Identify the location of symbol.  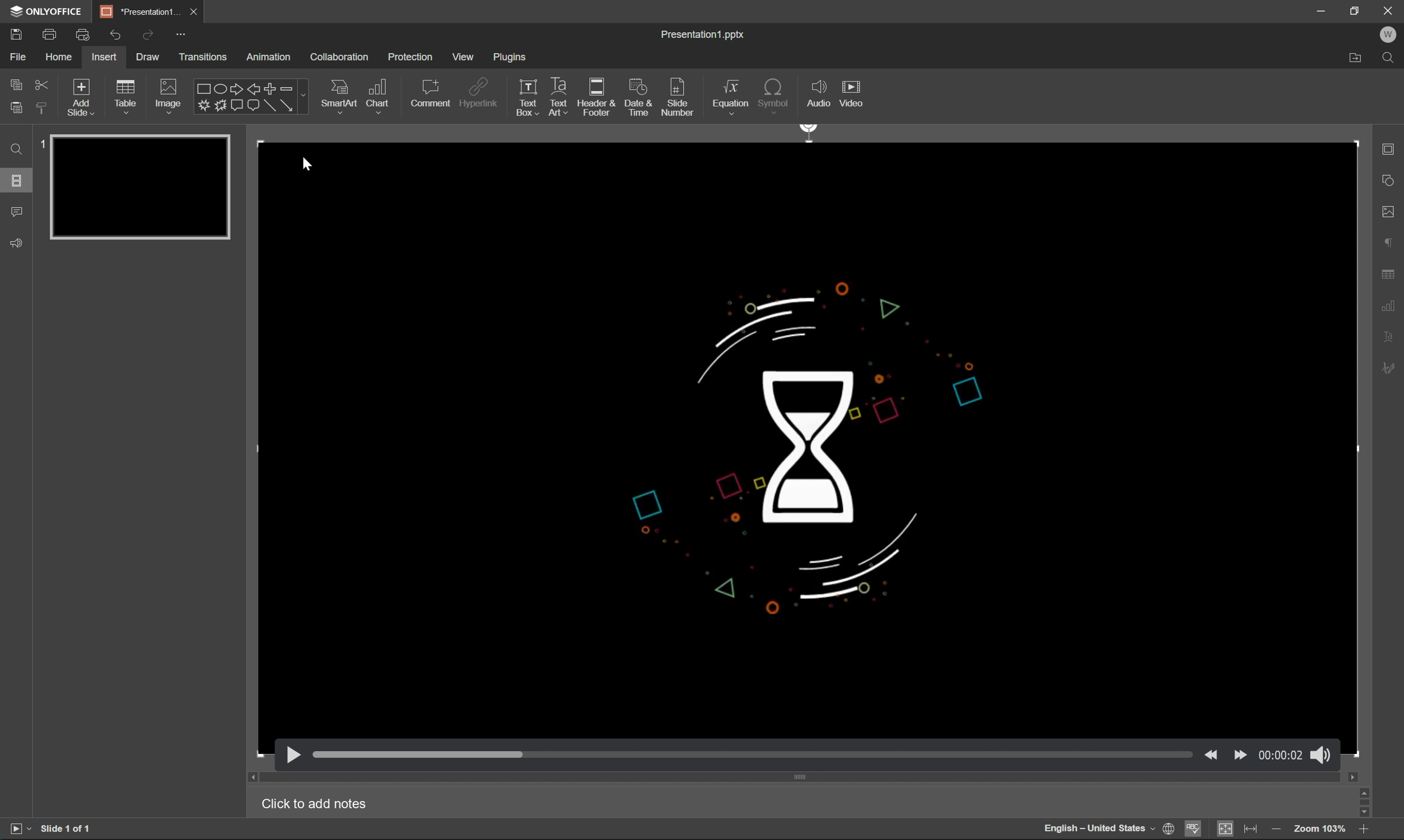
(776, 95).